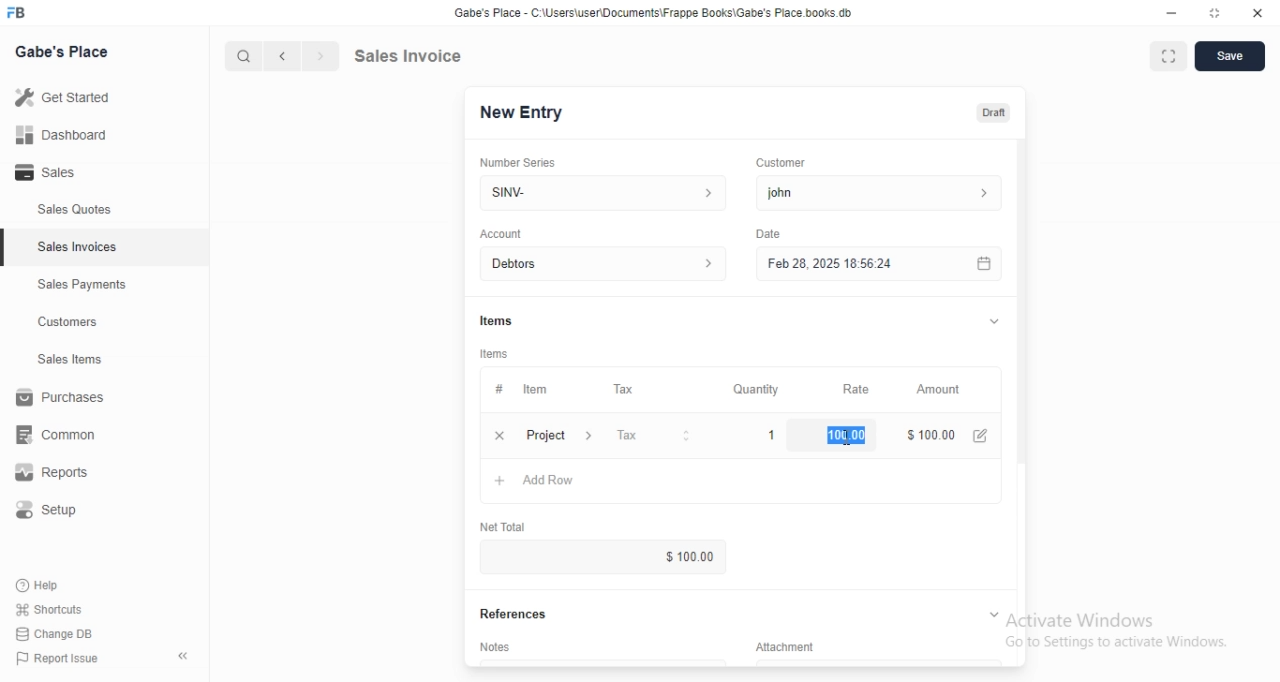 The width and height of the screenshot is (1280, 682). What do you see at coordinates (419, 55) in the screenshot?
I see `Sales Invoice` at bounding box center [419, 55].